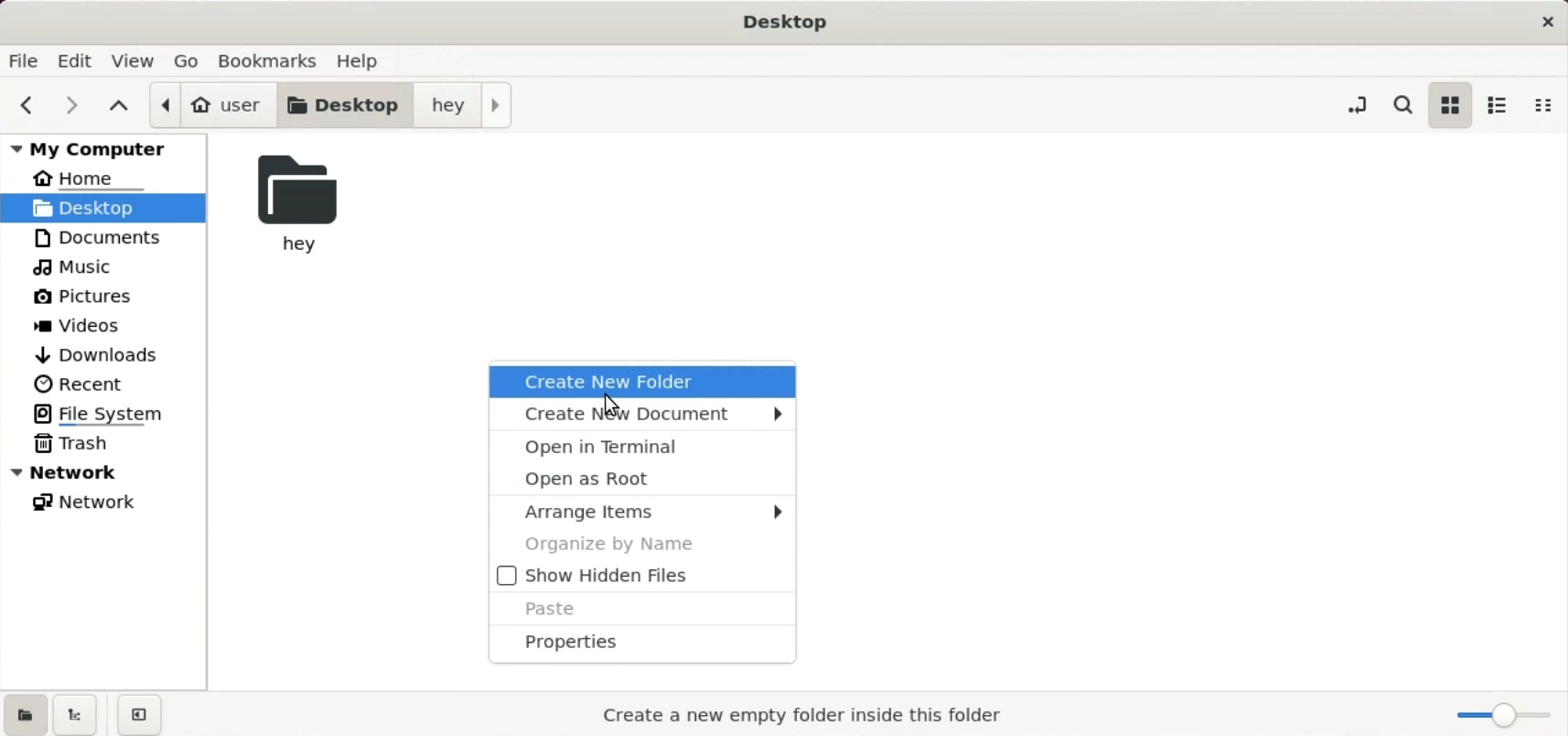 The image size is (1568, 736). I want to click on view, so click(136, 61).